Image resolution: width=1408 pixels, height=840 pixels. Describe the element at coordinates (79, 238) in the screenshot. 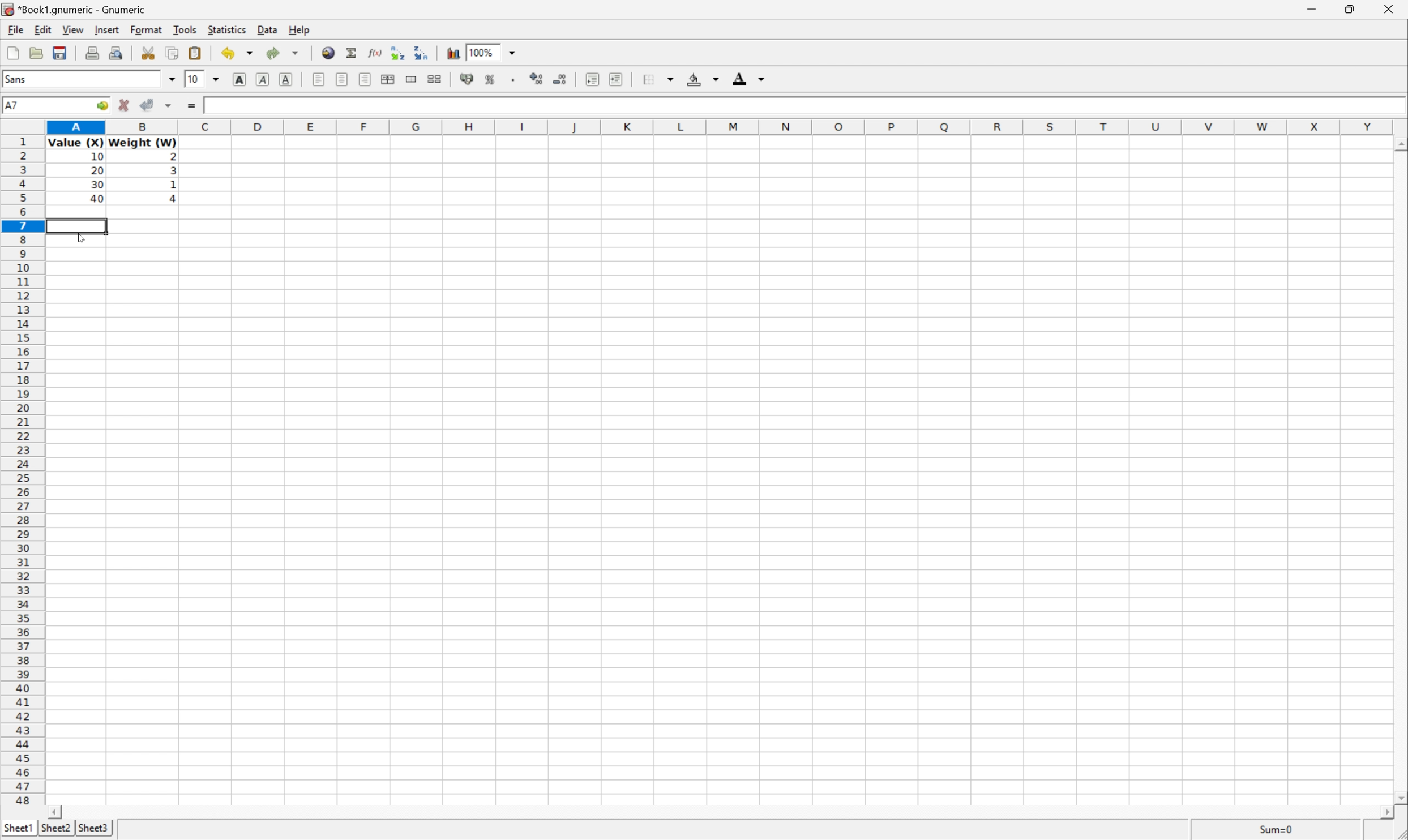

I see `Cursor` at that location.